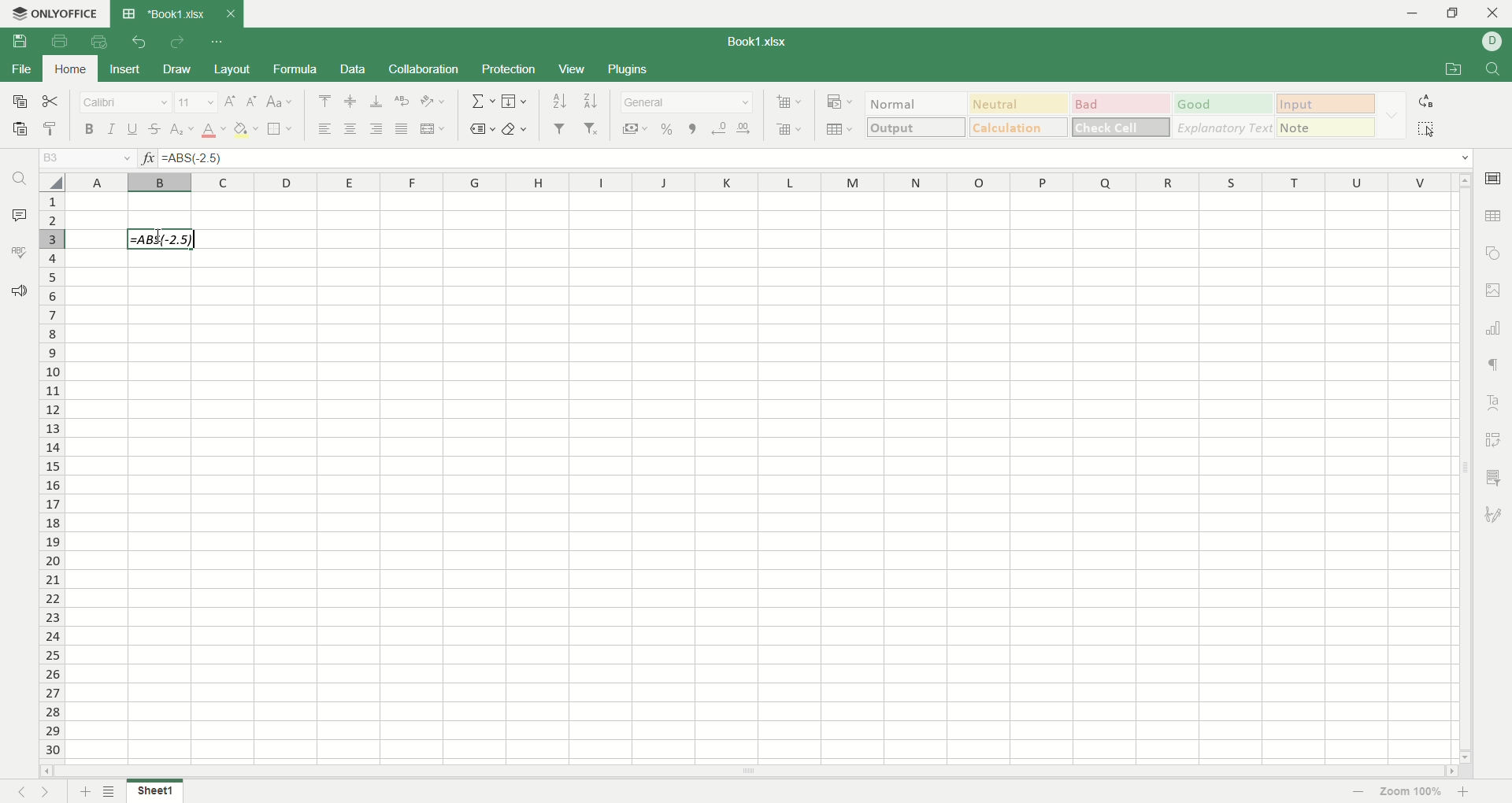 The image size is (1512, 803). I want to click on align right, so click(374, 128).